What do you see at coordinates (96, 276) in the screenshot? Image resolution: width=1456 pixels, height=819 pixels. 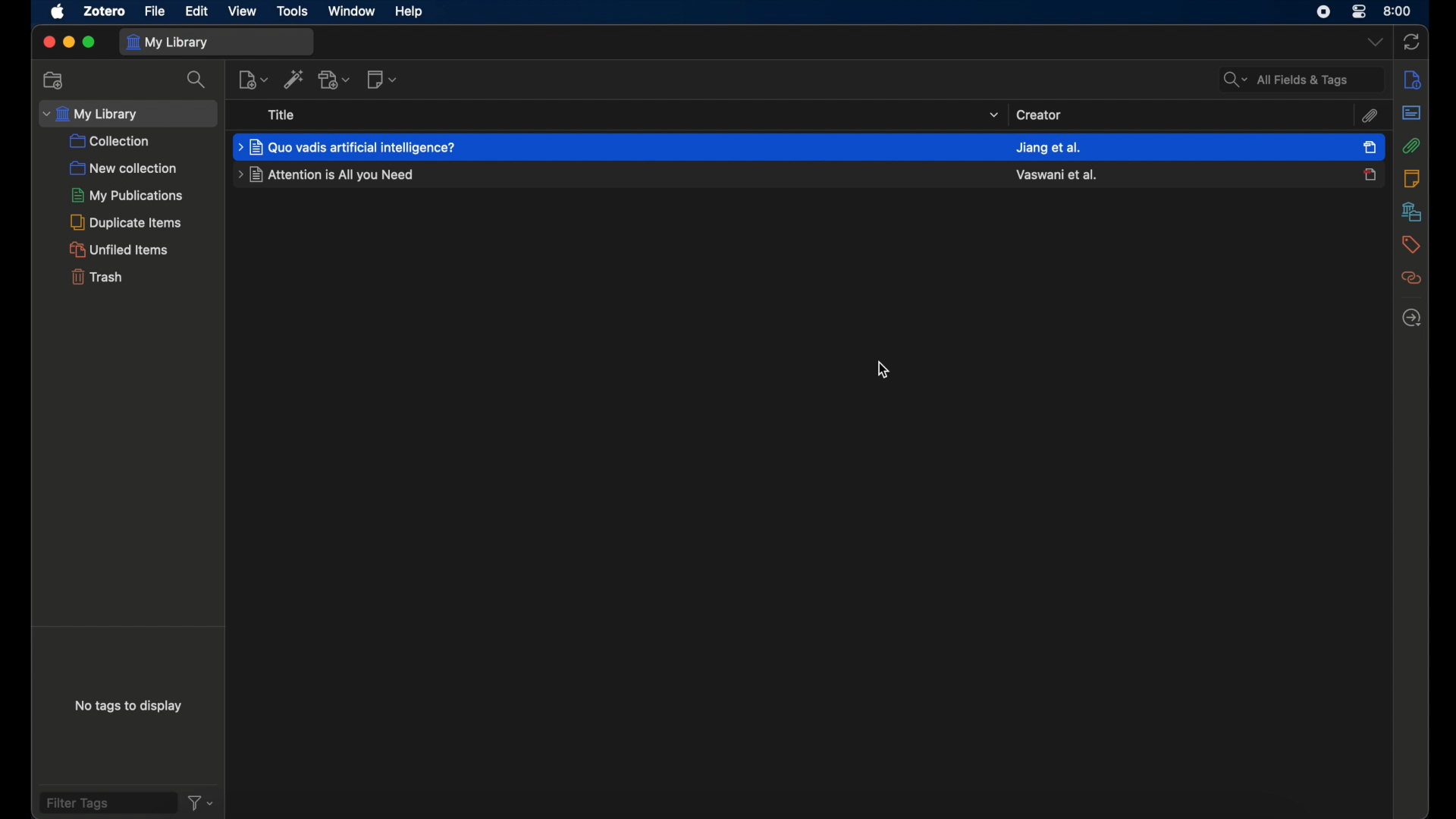 I see `trash` at bounding box center [96, 276].